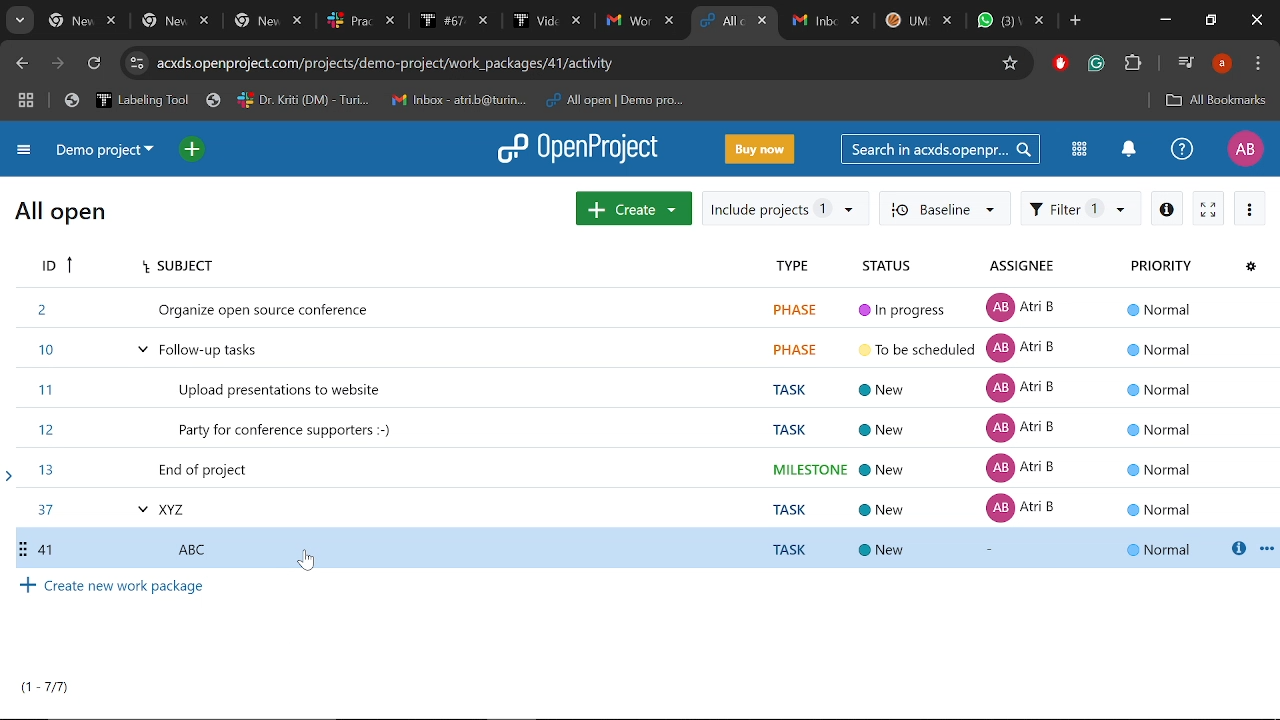 The height and width of the screenshot is (720, 1280). What do you see at coordinates (378, 101) in the screenshot?
I see `Bookmarked tabs` at bounding box center [378, 101].